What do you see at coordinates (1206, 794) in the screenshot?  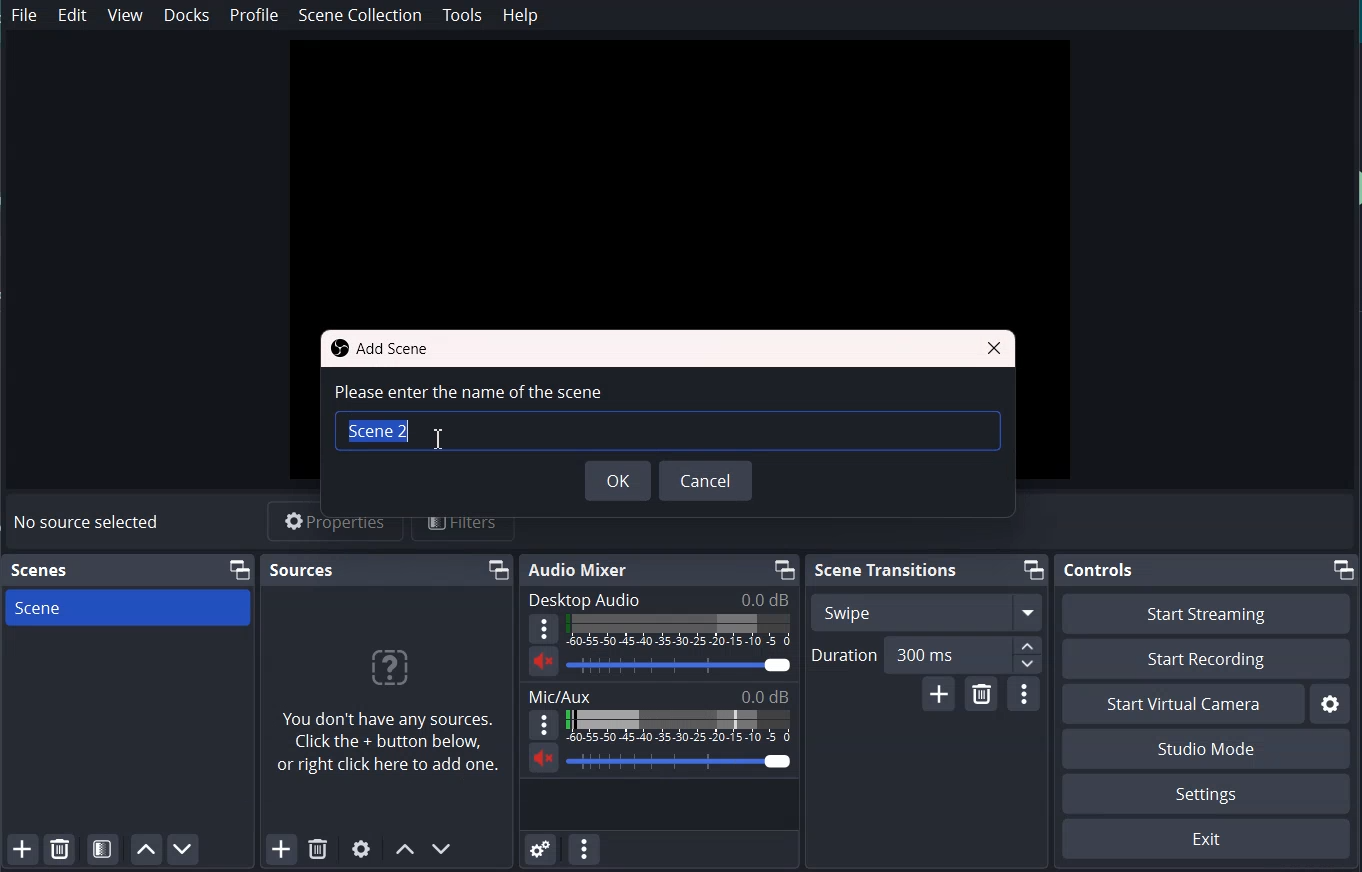 I see `Settings` at bounding box center [1206, 794].